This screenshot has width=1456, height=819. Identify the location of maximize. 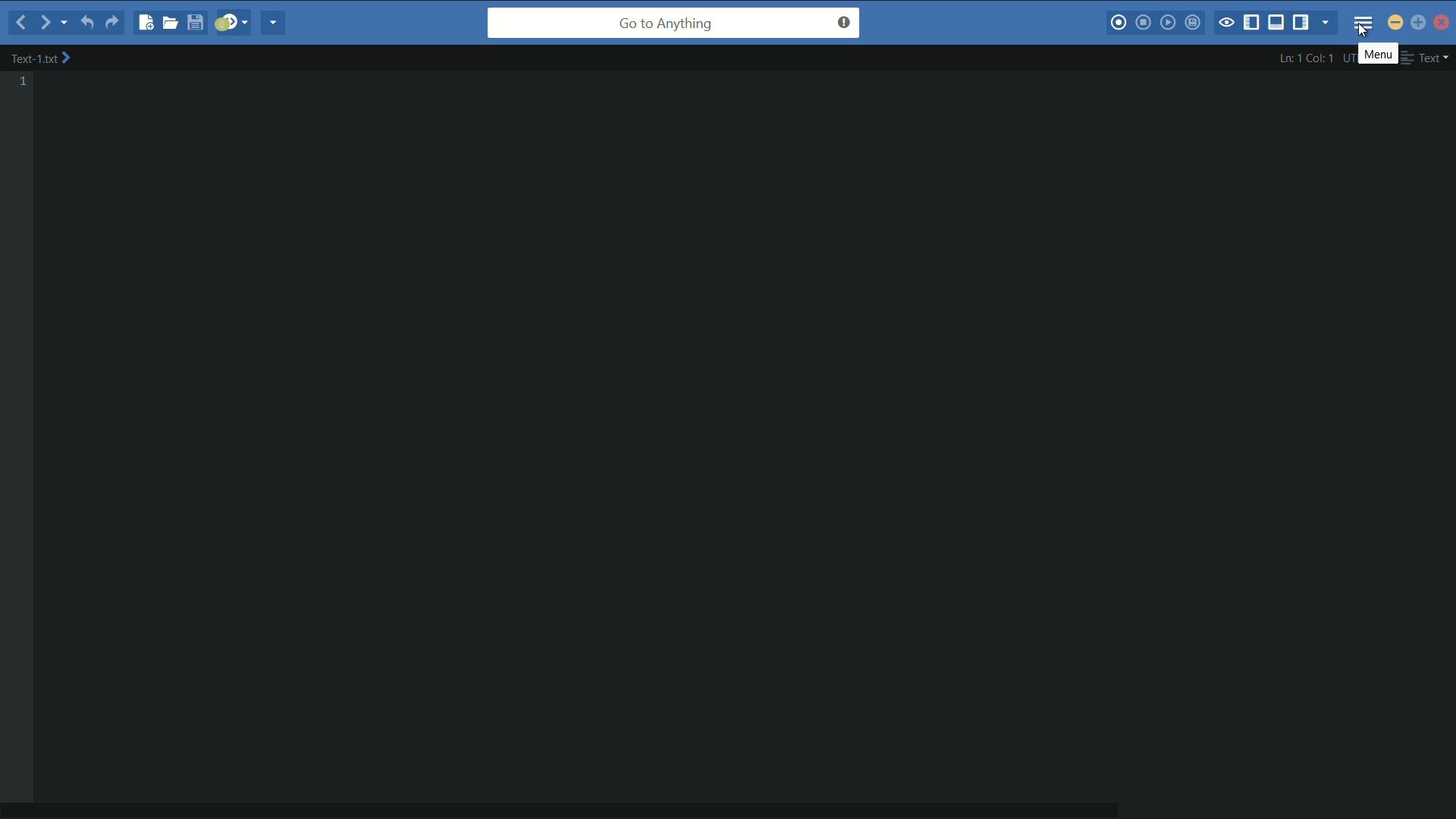
(1420, 21).